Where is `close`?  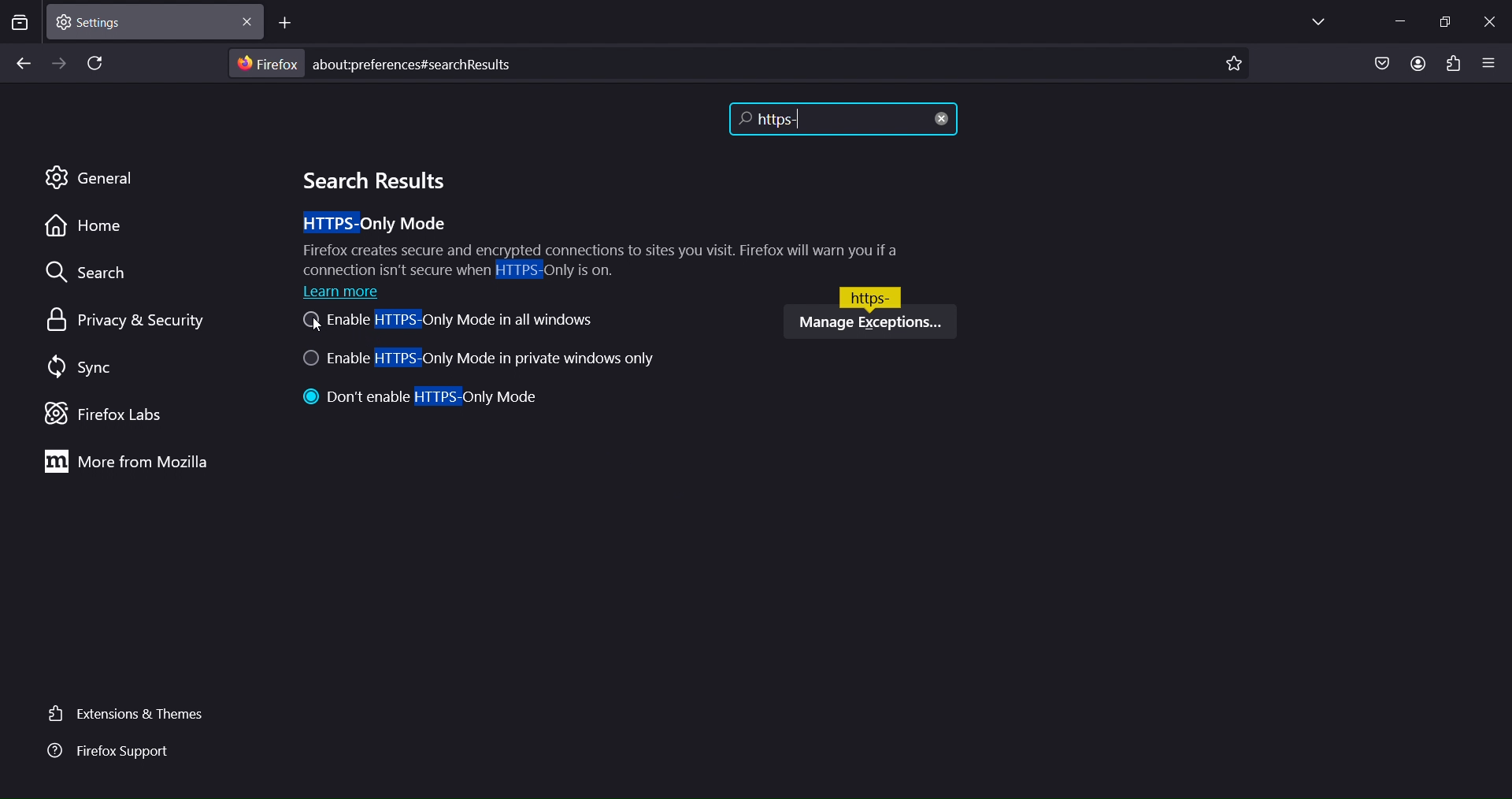
close is located at coordinates (1491, 24).